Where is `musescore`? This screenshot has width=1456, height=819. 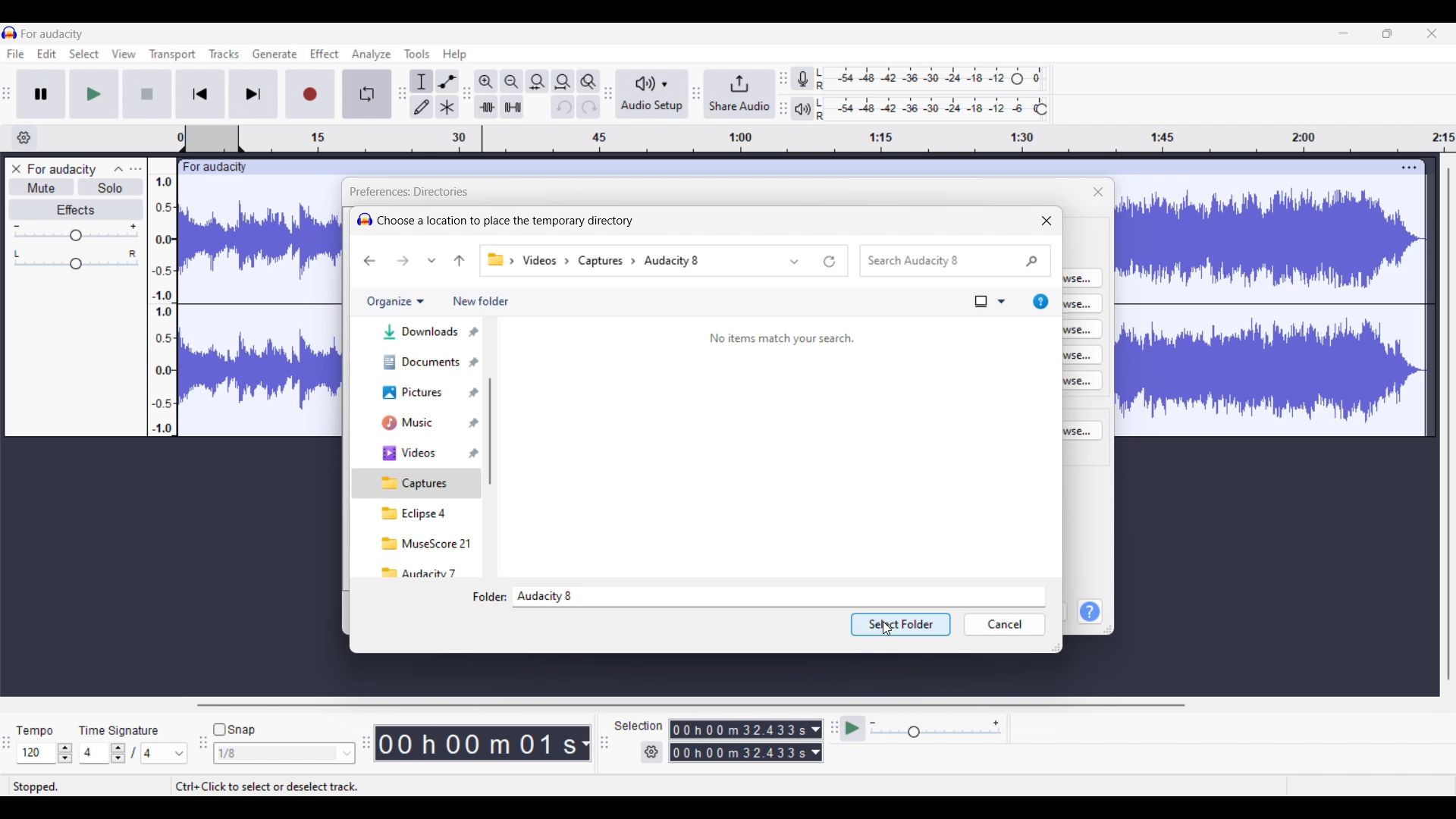 musescore is located at coordinates (425, 543).